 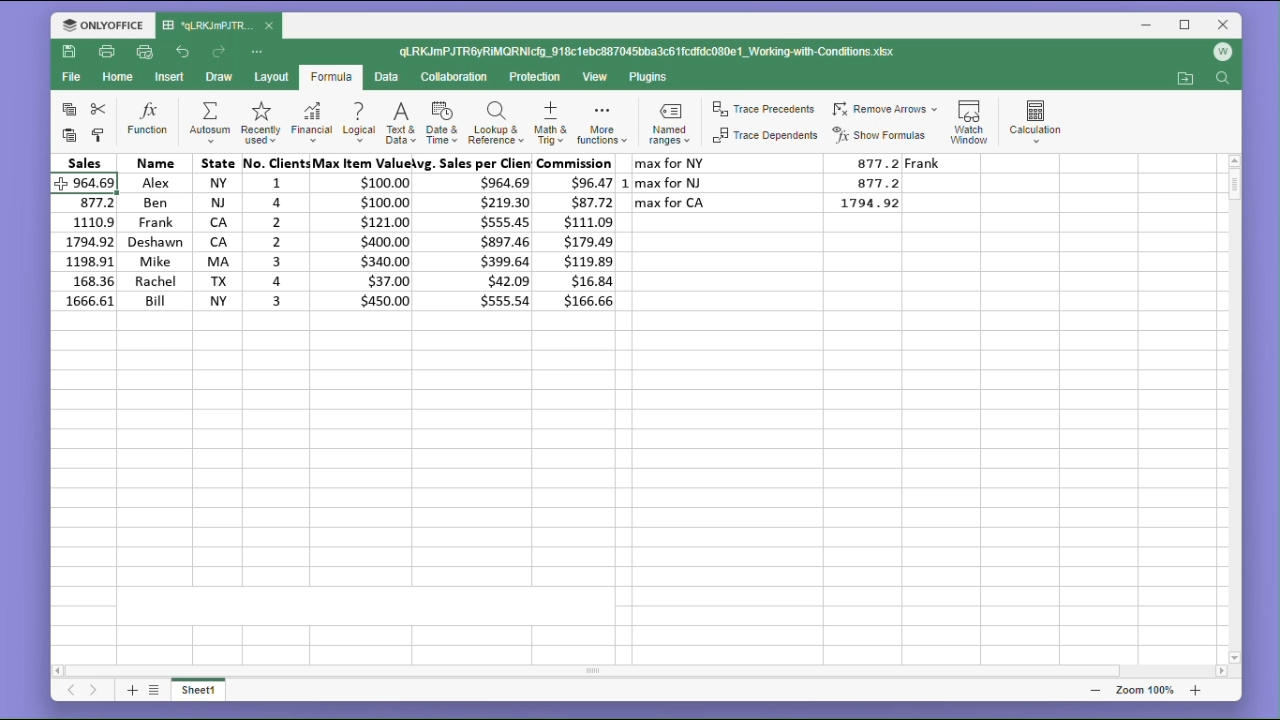 What do you see at coordinates (763, 139) in the screenshot?
I see `trace dependents` at bounding box center [763, 139].